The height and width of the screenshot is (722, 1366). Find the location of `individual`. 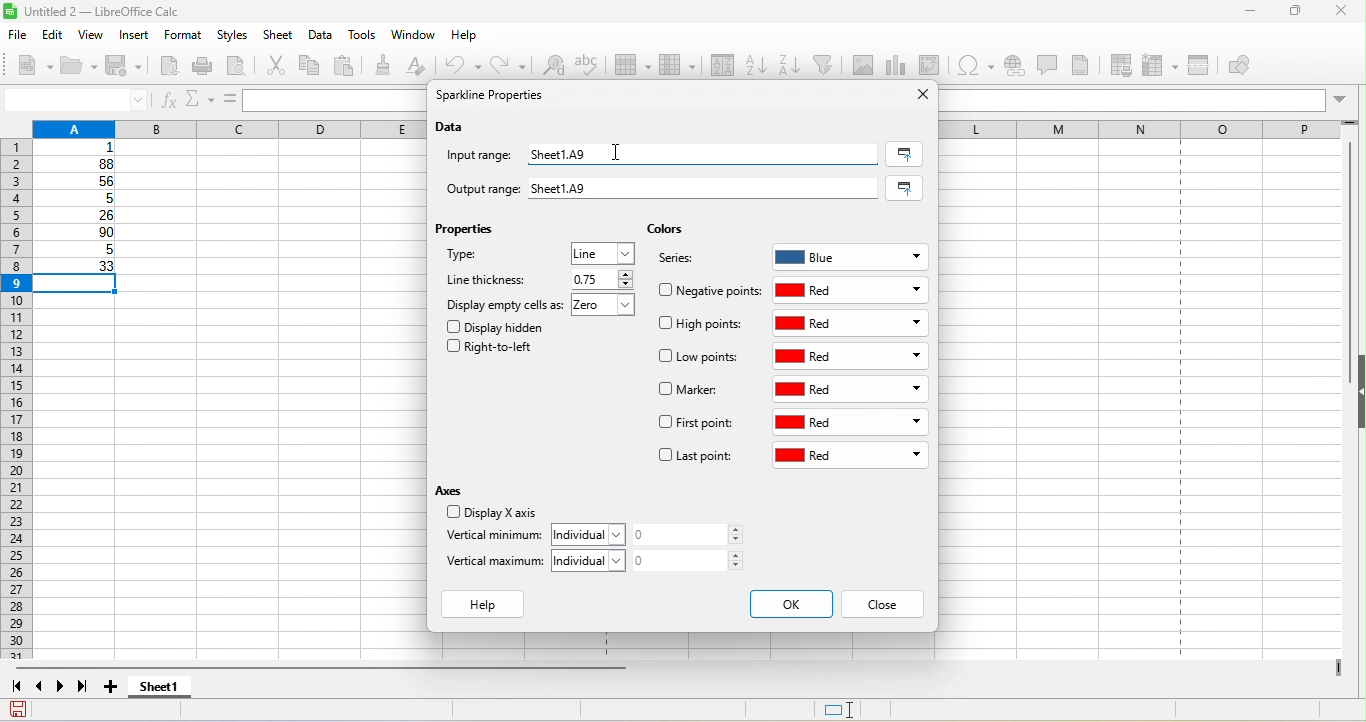

individual is located at coordinates (594, 560).